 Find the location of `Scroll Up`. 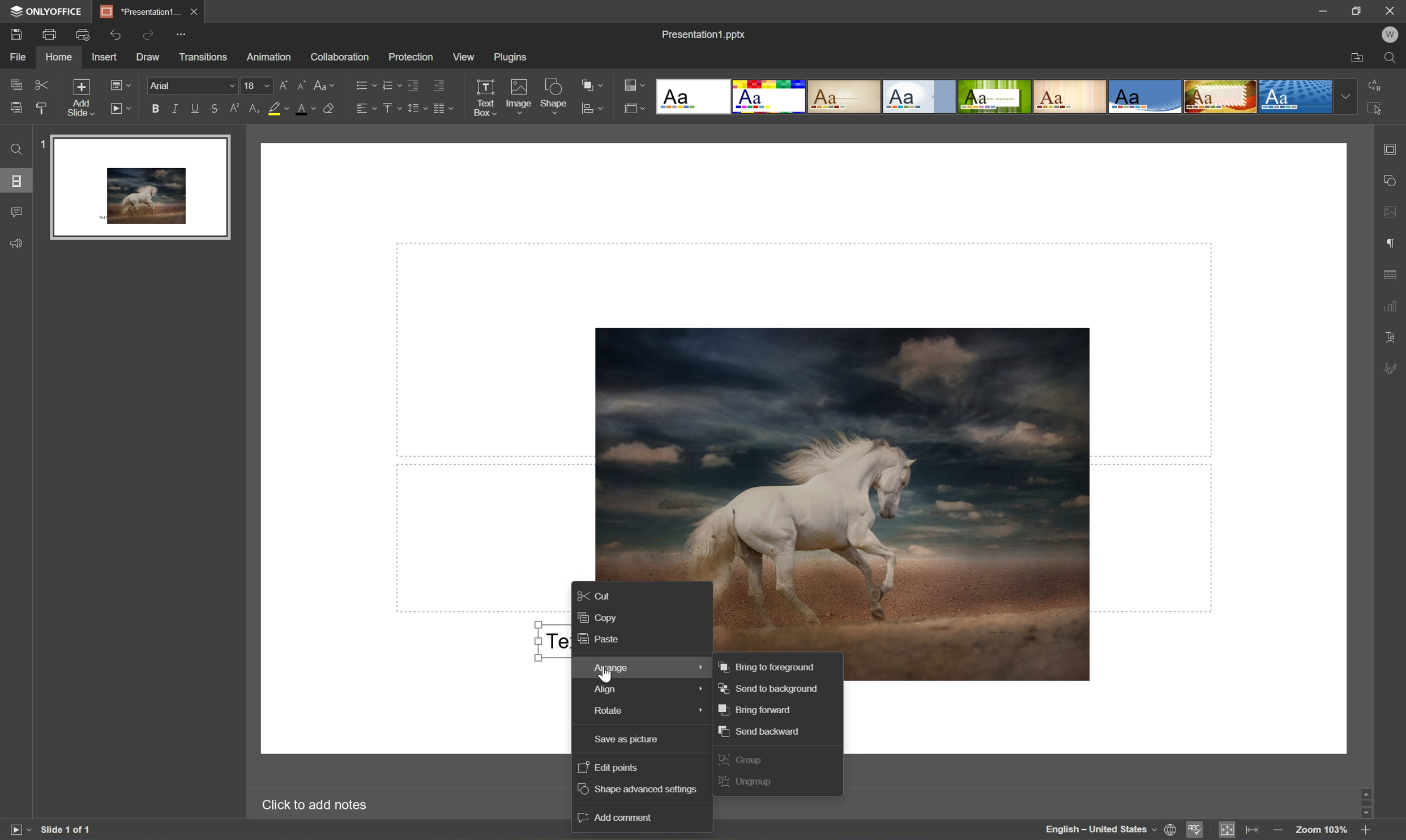

Scroll Up is located at coordinates (1365, 788).